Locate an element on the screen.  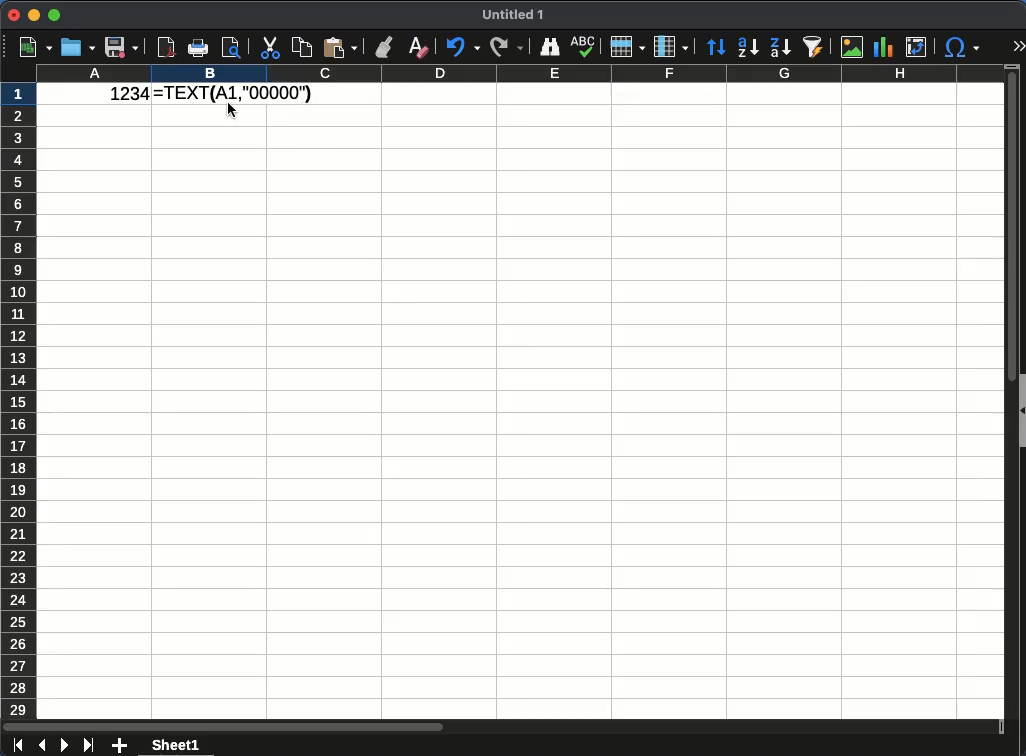
first sheet is located at coordinates (18, 745).